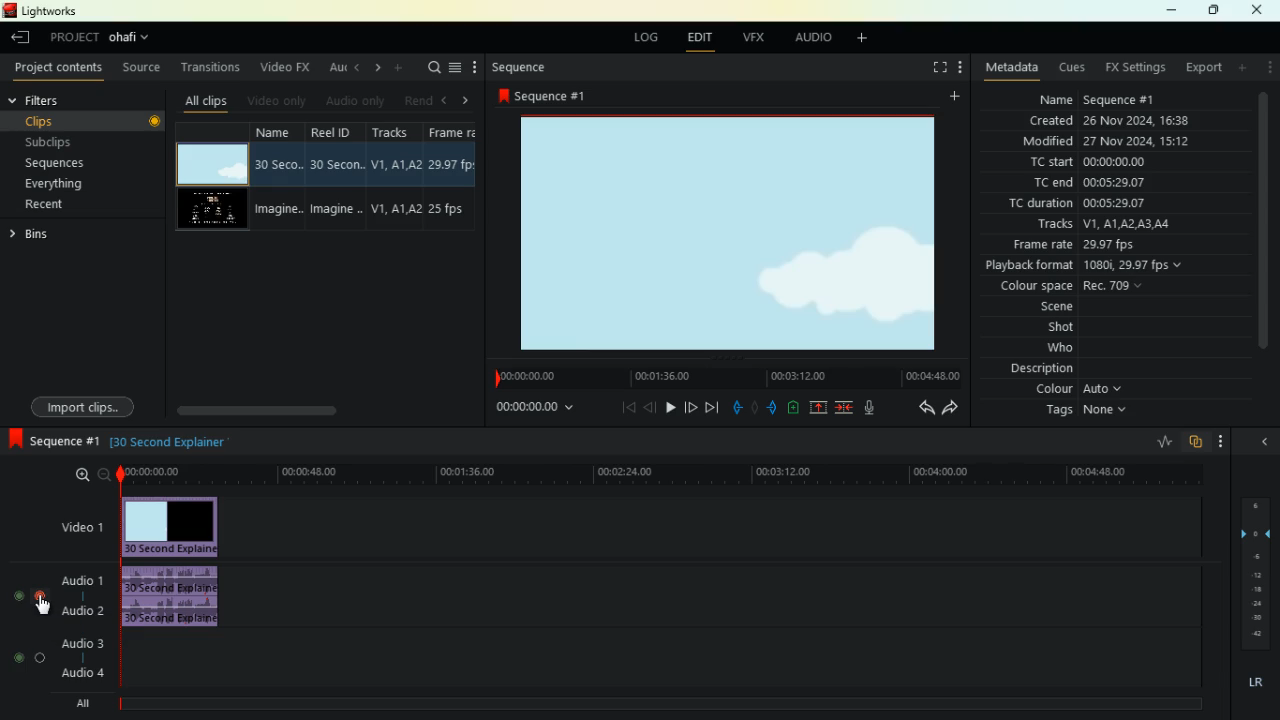 The image size is (1280, 720). Describe the element at coordinates (206, 210) in the screenshot. I see `video` at that location.